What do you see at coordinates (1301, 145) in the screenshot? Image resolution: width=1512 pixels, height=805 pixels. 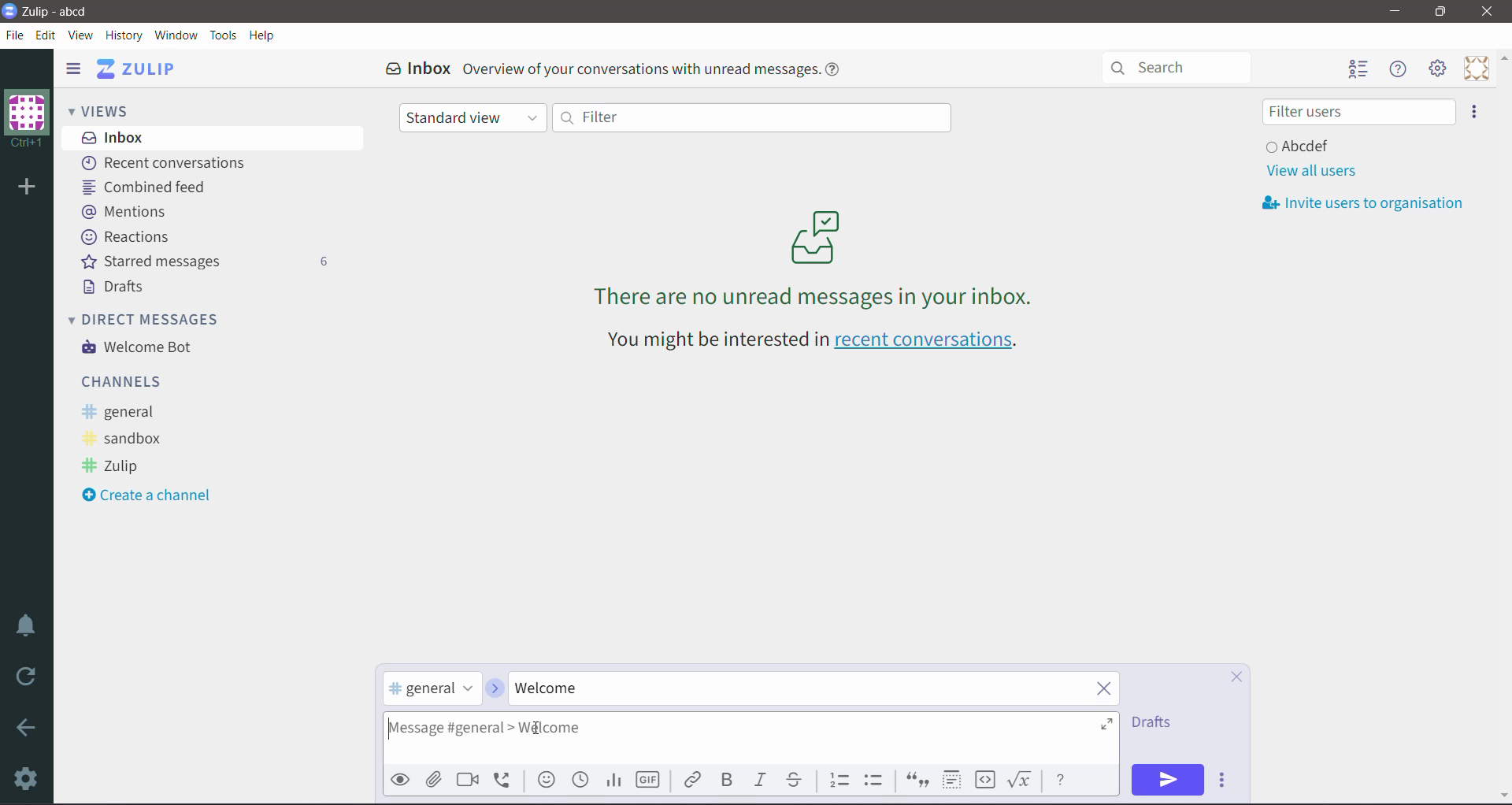 I see `User and Status` at bounding box center [1301, 145].